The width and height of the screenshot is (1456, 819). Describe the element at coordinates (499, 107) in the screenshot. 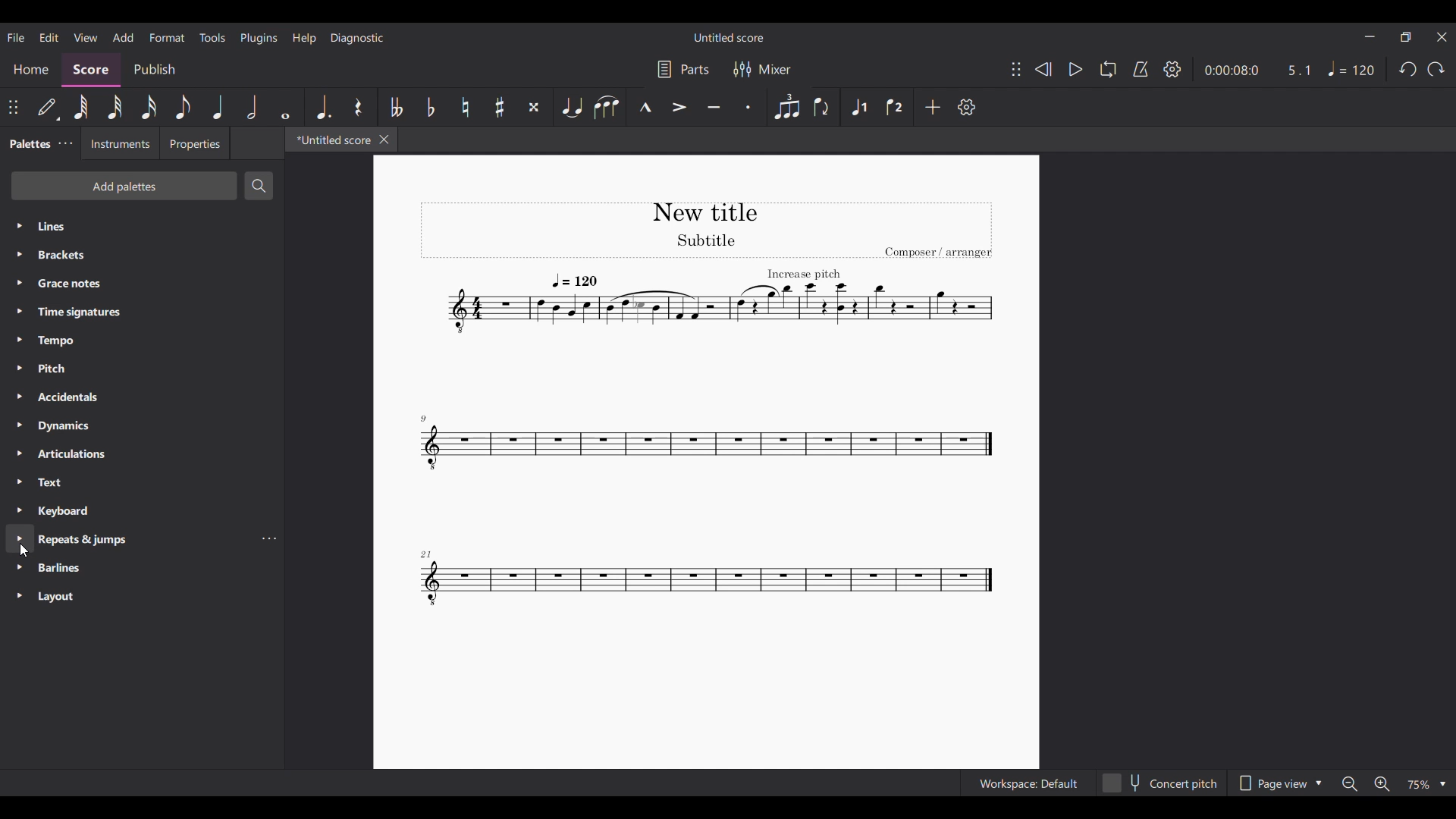

I see `Toggle sharp` at that location.